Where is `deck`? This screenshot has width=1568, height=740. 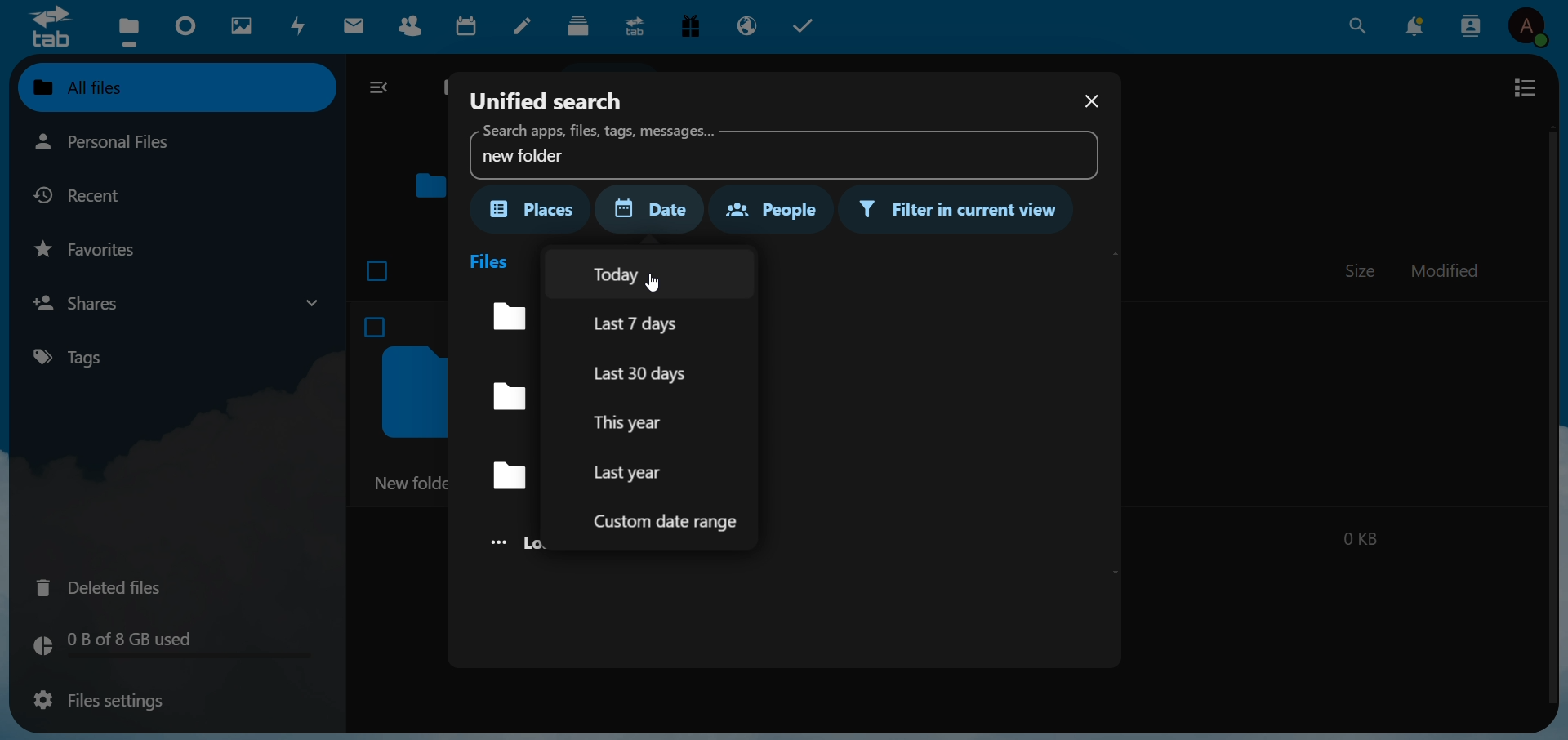 deck is located at coordinates (578, 26).